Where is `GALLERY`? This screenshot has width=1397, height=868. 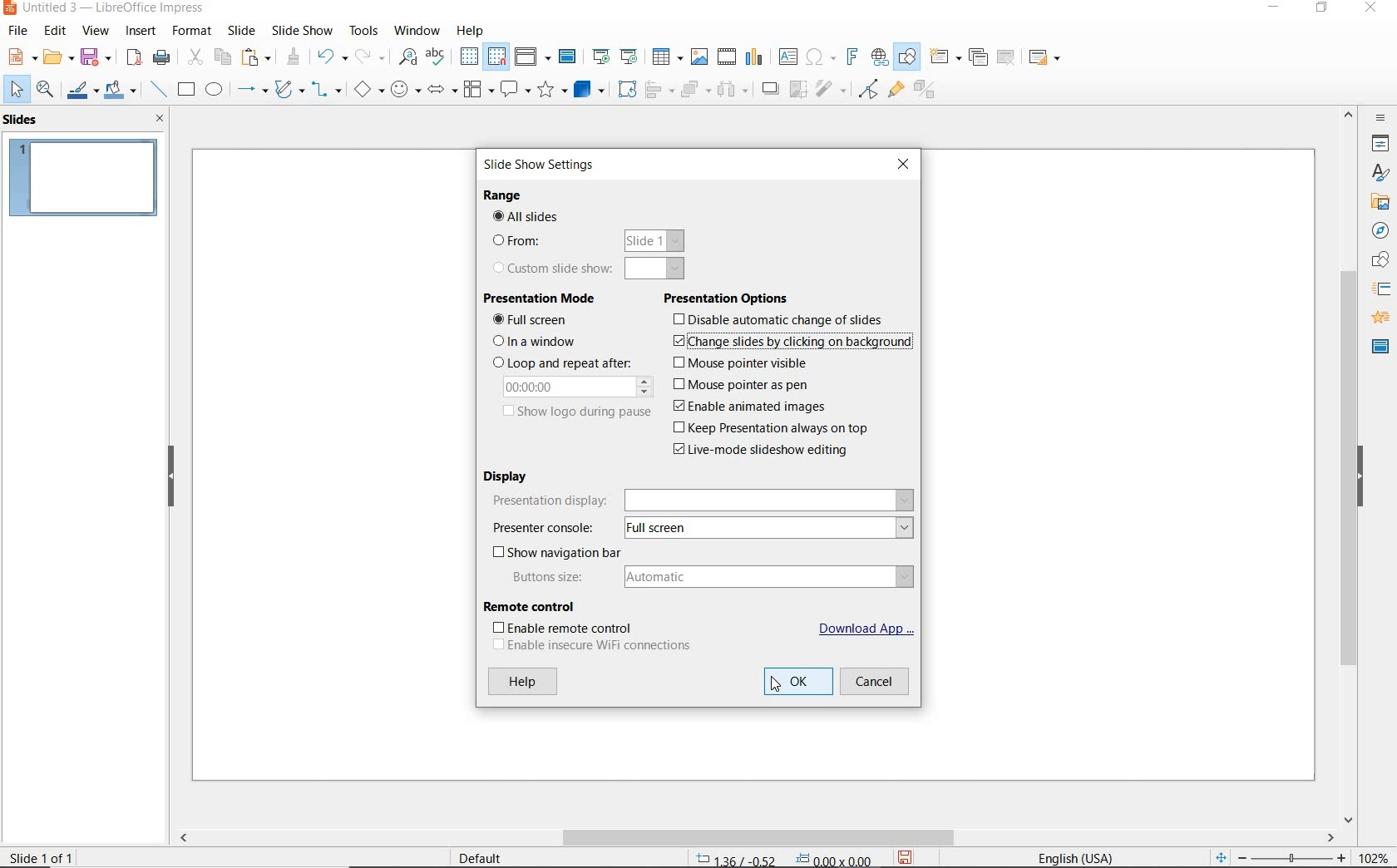 GALLERY is located at coordinates (1380, 201).